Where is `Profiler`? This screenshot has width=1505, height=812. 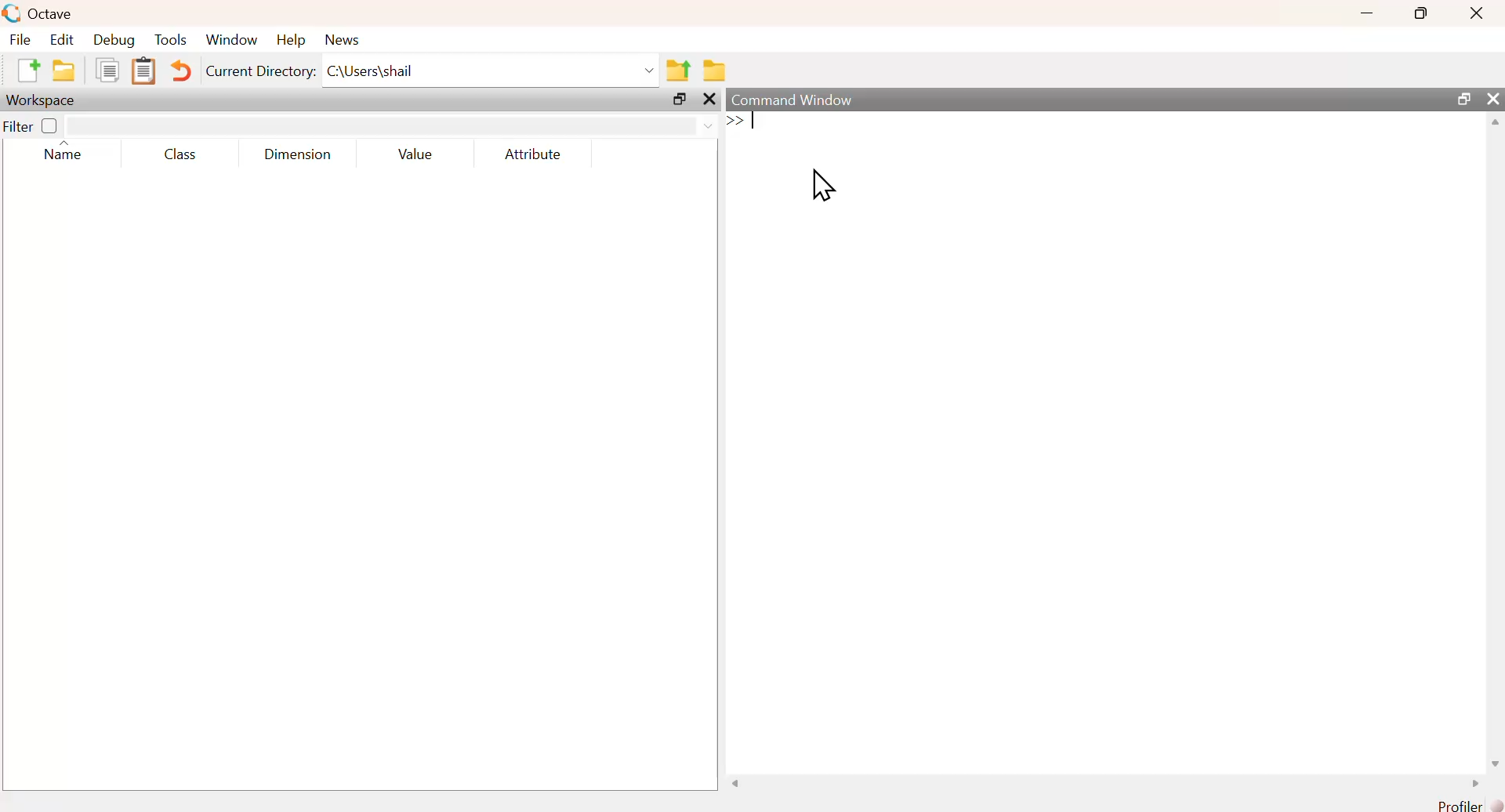 Profiler is located at coordinates (1467, 804).